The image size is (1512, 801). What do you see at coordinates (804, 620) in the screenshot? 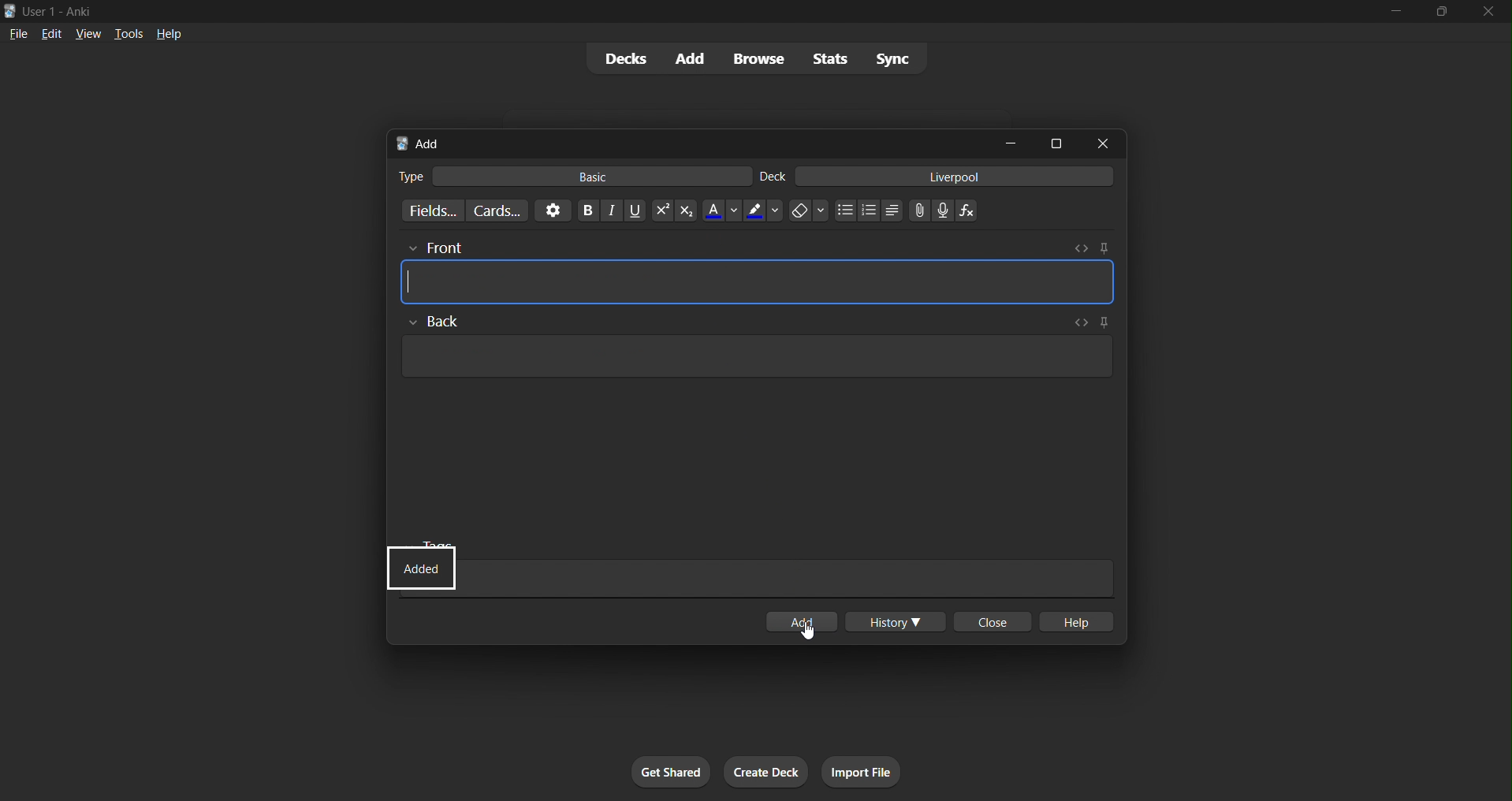
I see `add` at bounding box center [804, 620].